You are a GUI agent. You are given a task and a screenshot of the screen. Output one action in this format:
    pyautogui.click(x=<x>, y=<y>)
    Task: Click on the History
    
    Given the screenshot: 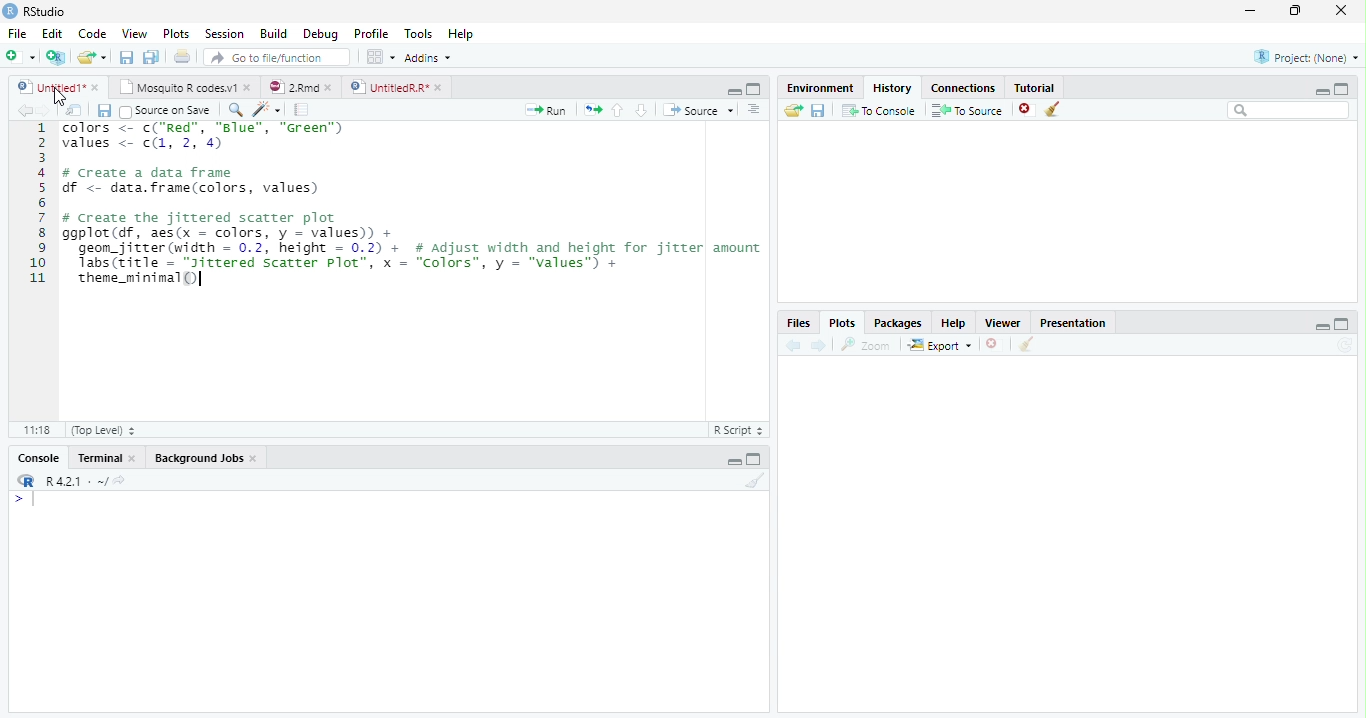 What is the action you would take?
    pyautogui.click(x=893, y=88)
    